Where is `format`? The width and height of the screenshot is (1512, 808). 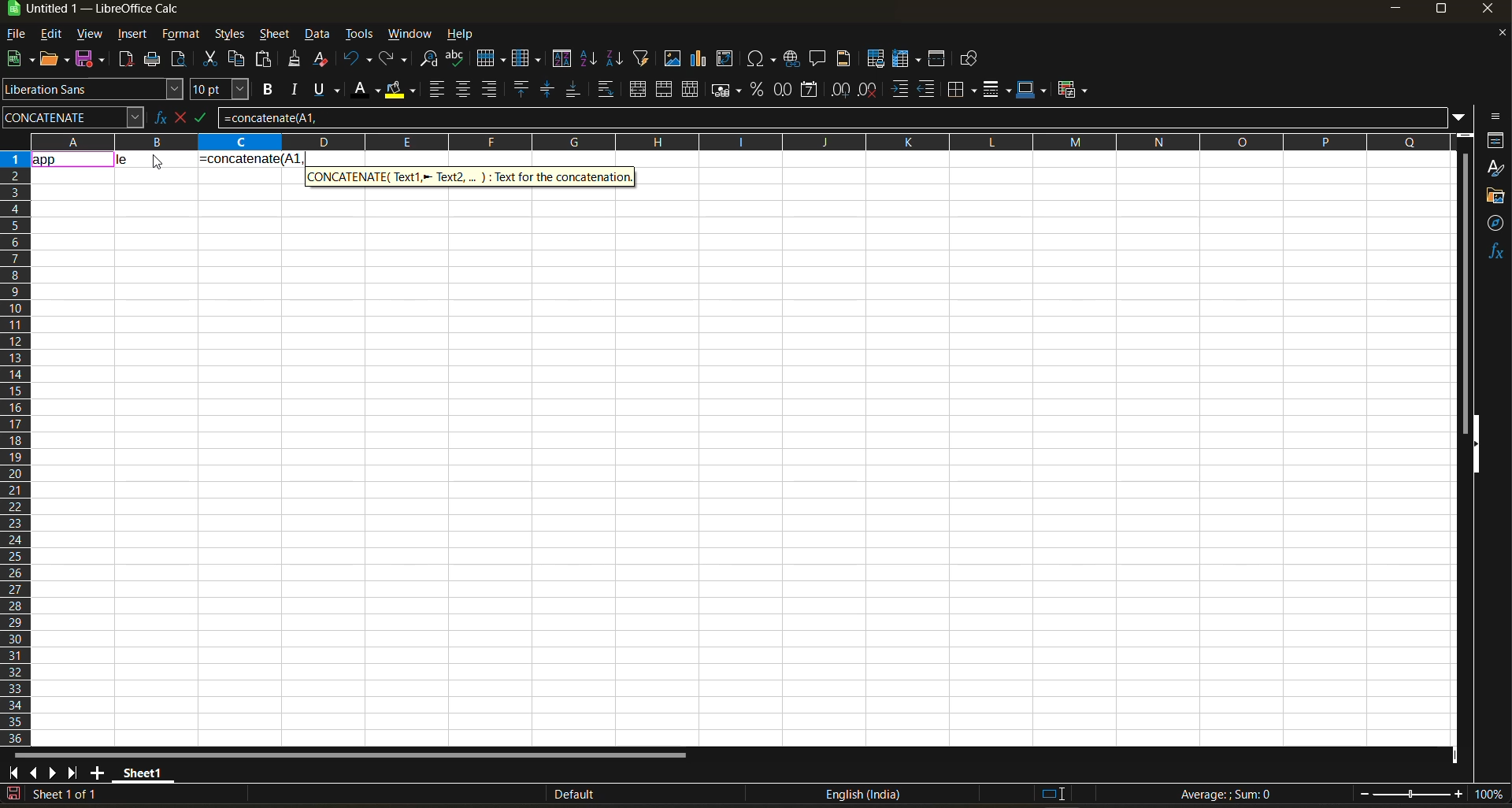
format is located at coordinates (182, 36).